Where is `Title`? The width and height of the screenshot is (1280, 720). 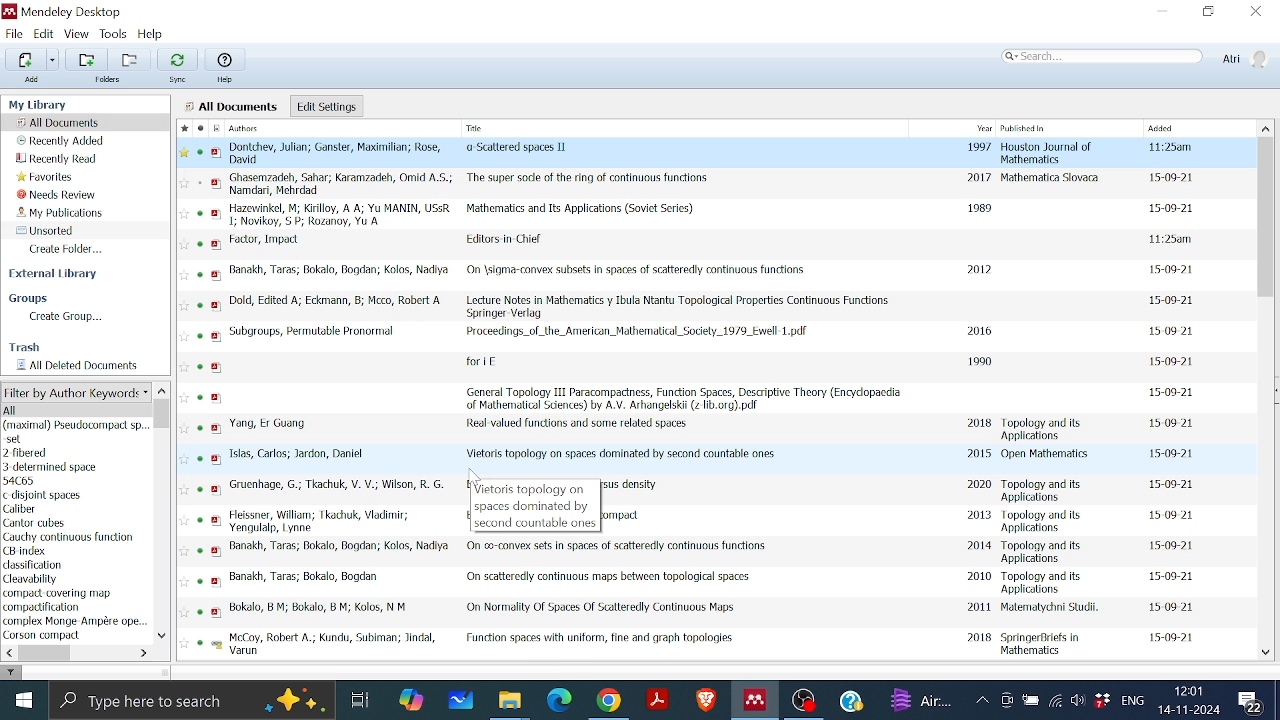 Title is located at coordinates (598, 180).